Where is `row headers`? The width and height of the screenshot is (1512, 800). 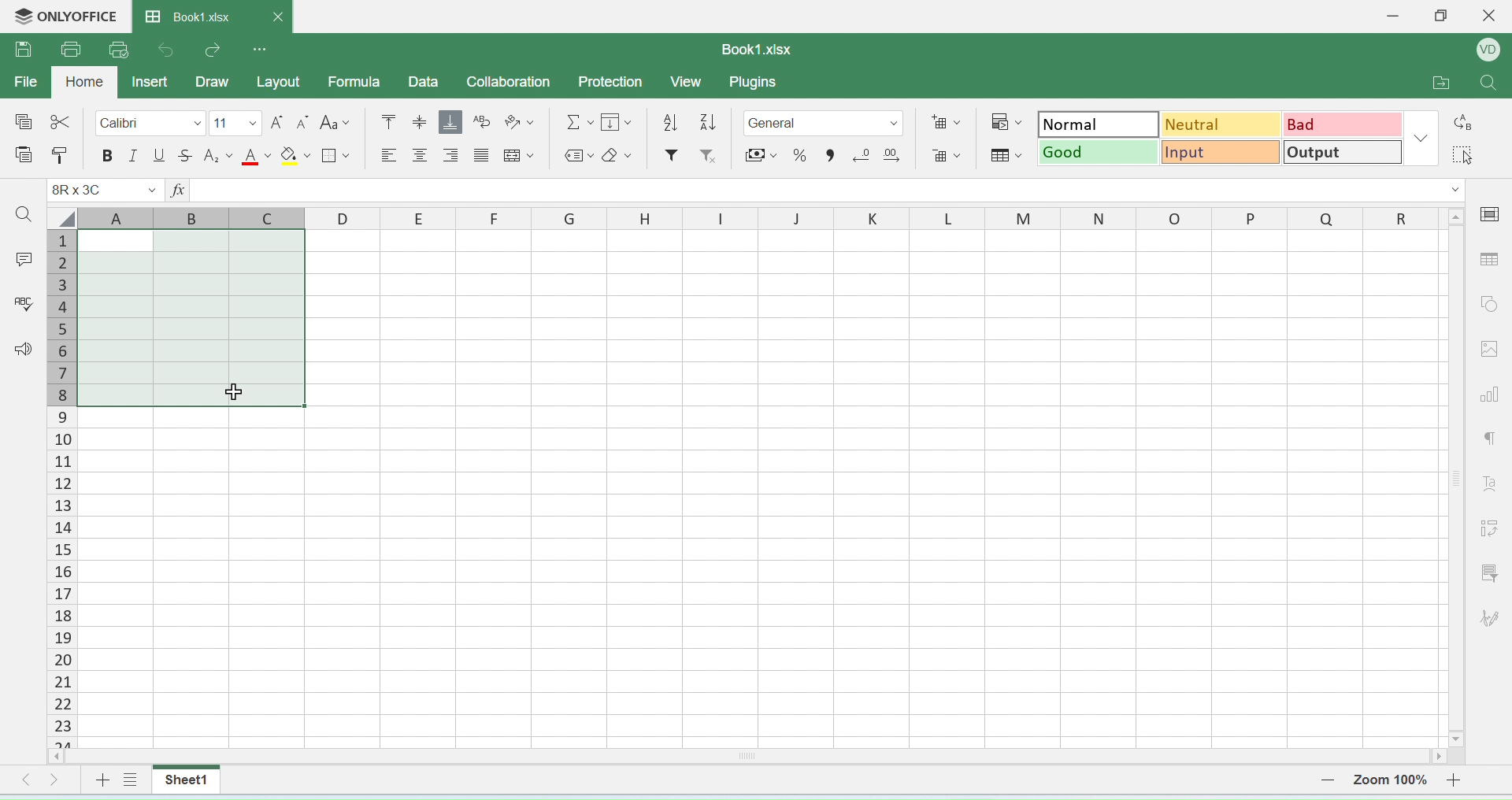
row headers is located at coordinates (760, 218).